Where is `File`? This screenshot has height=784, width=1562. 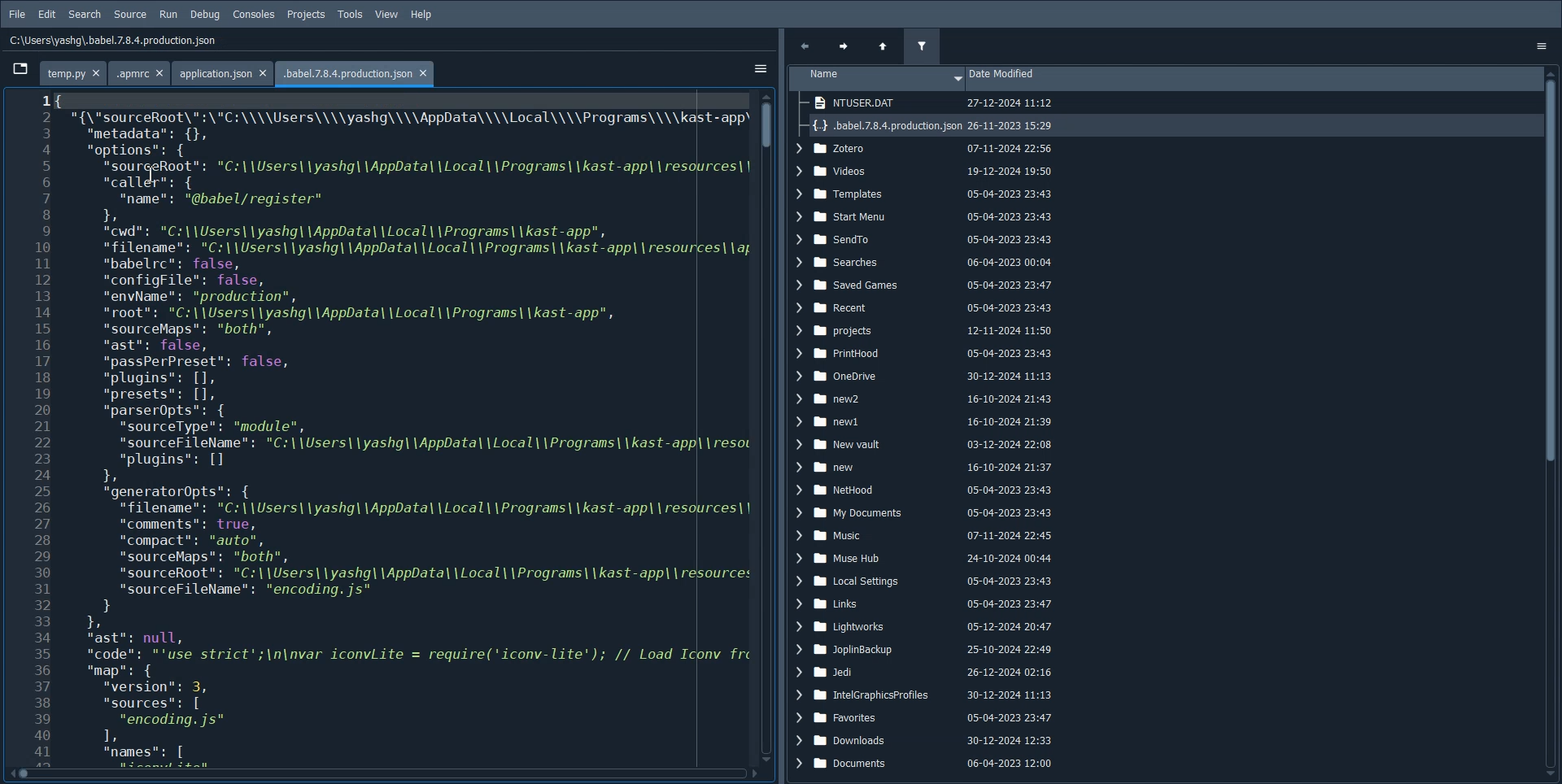 File is located at coordinates (15, 14).